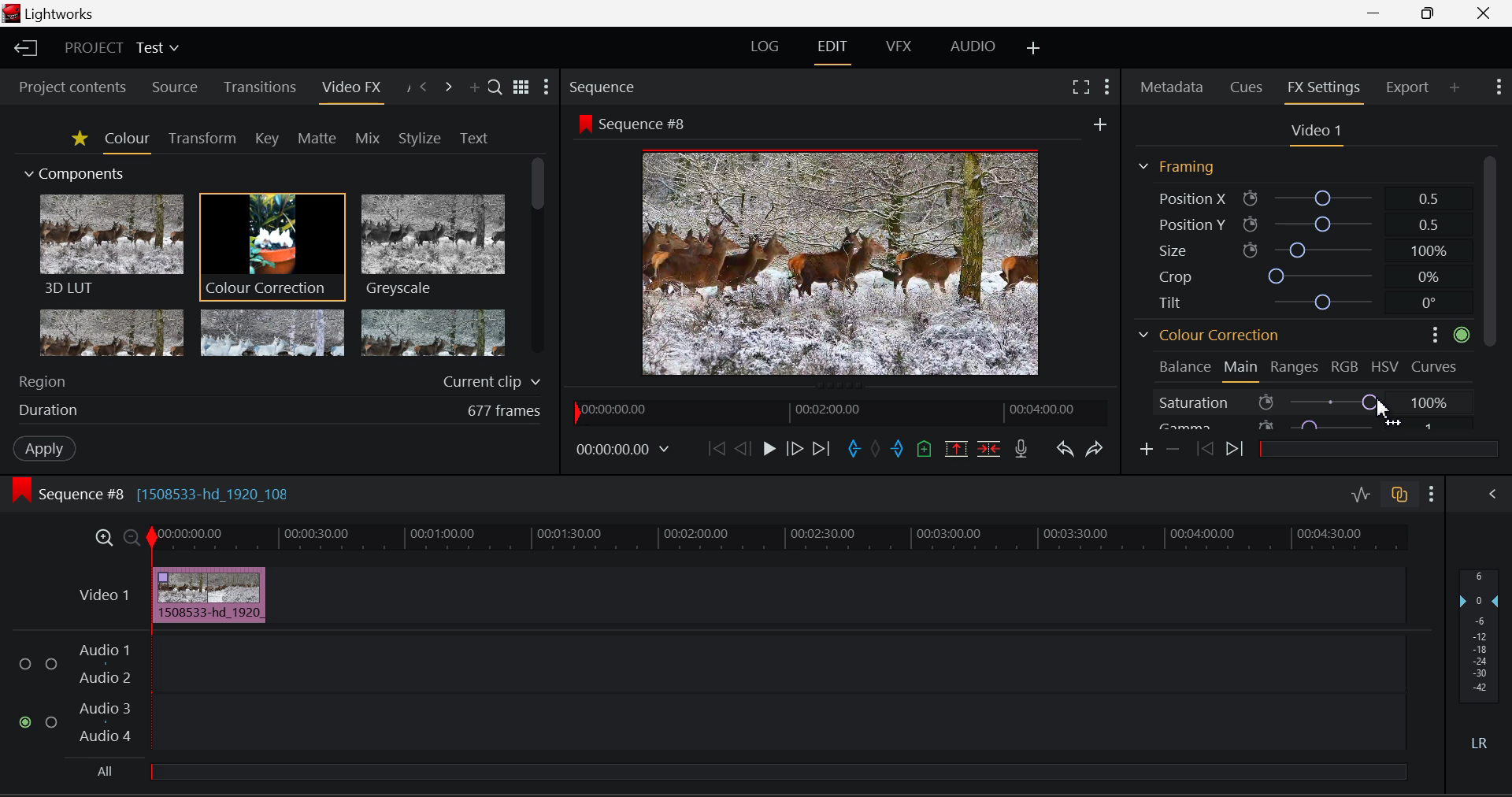  Describe the element at coordinates (272, 246) in the screenshot. I see `Cursor MOUSE_DOWN on Colour Correction` at that location.